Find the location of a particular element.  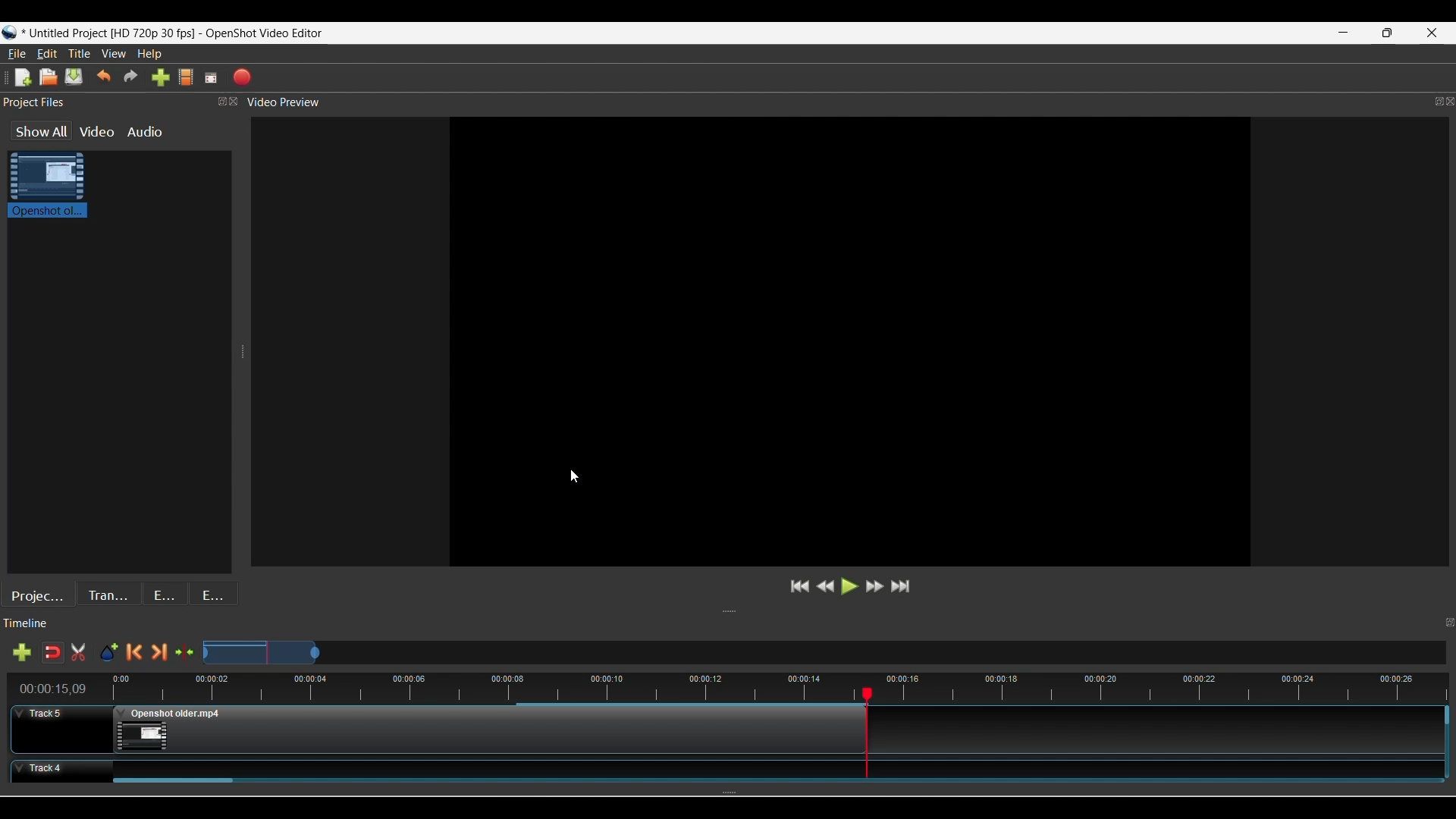

Choose profile is located at coordinates (186, 78).